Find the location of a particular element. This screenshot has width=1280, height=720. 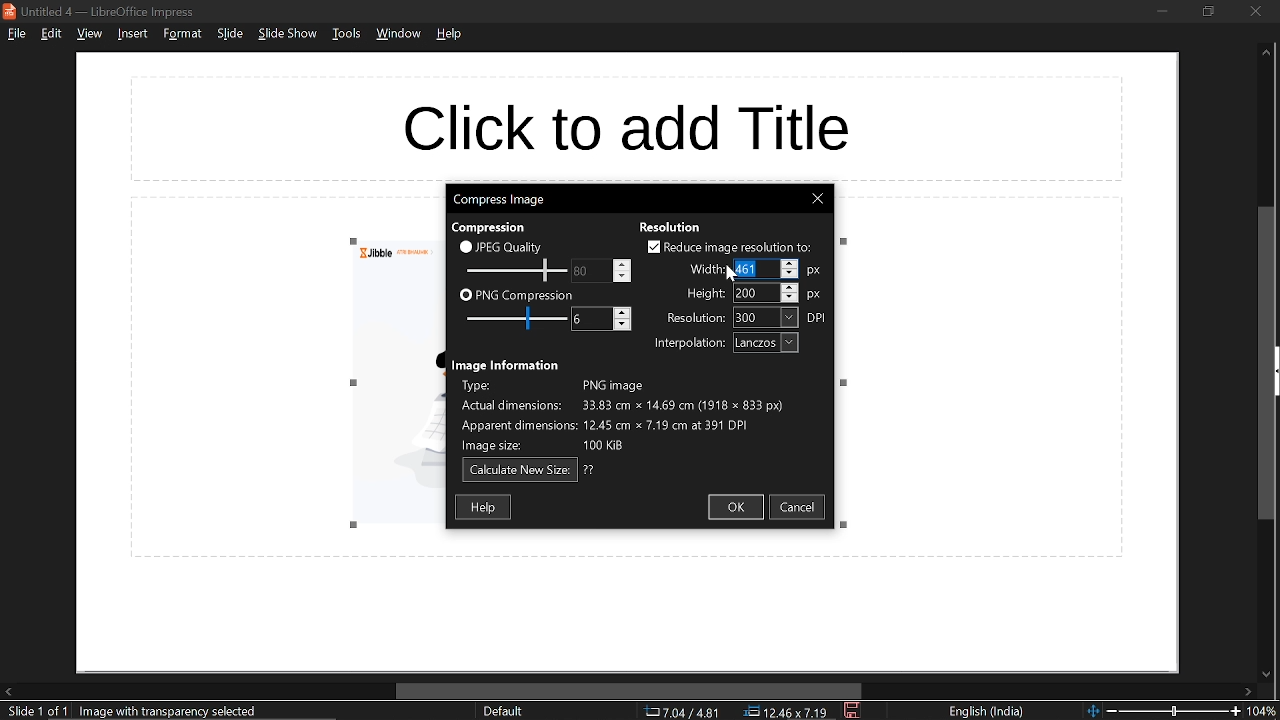

Decrease  is located at coordinates (623, 326).